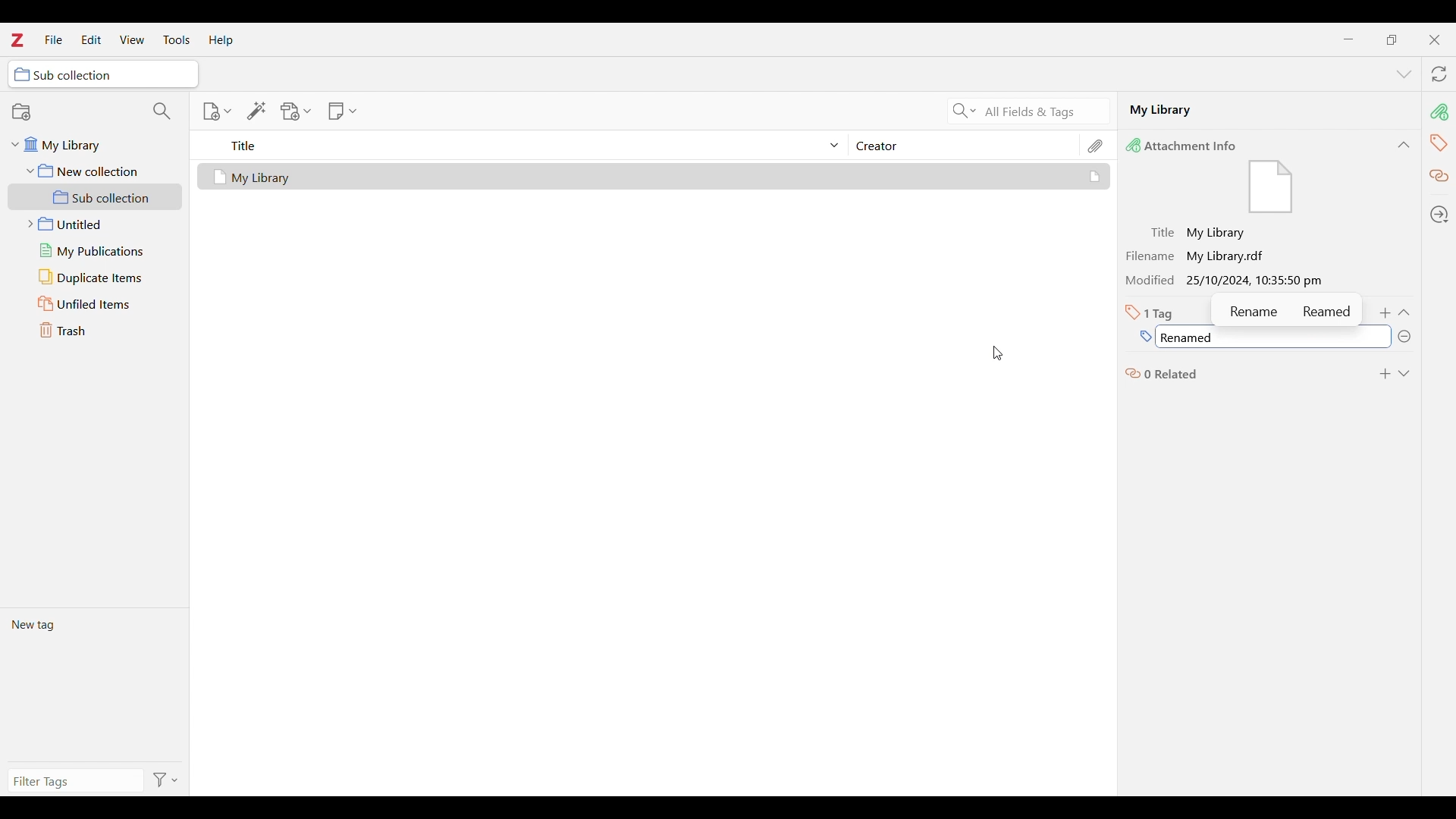  I want to click on List all tabs, so click(1404, 75).